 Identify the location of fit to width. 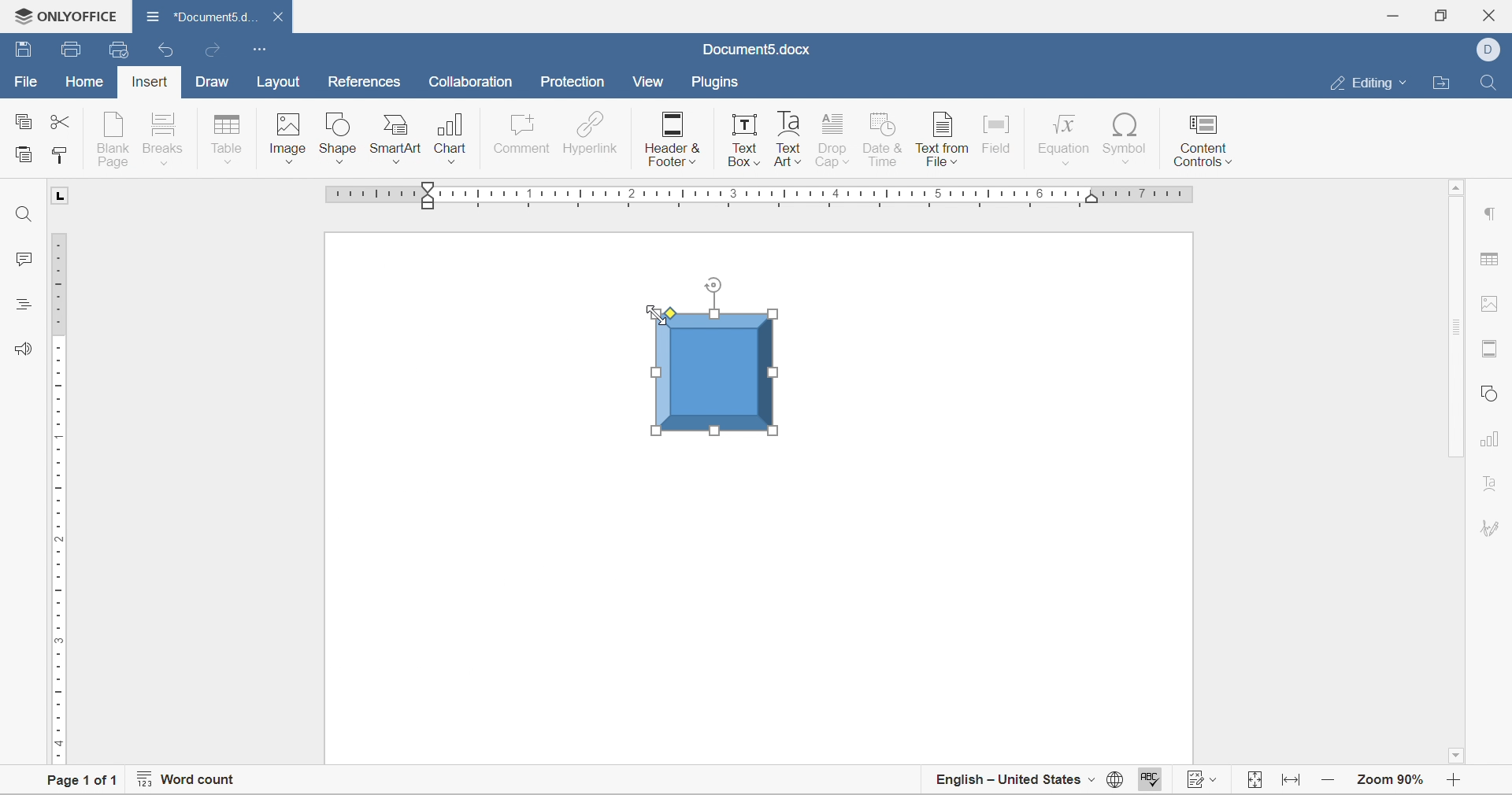
(1252, 782).